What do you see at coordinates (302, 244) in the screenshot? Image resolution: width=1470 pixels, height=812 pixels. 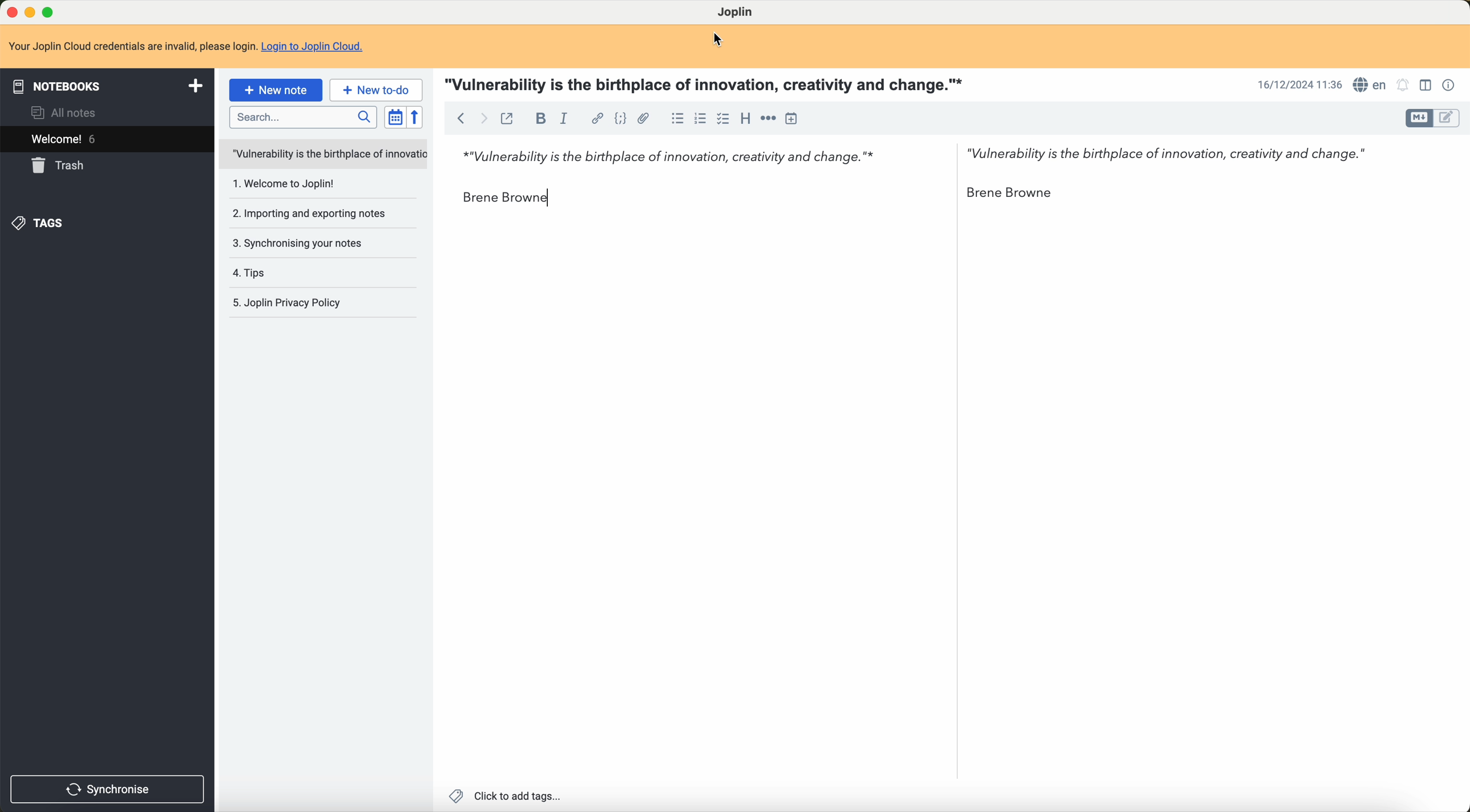 I see `3. Synchronising your notes` at bounding box center [302, 244].